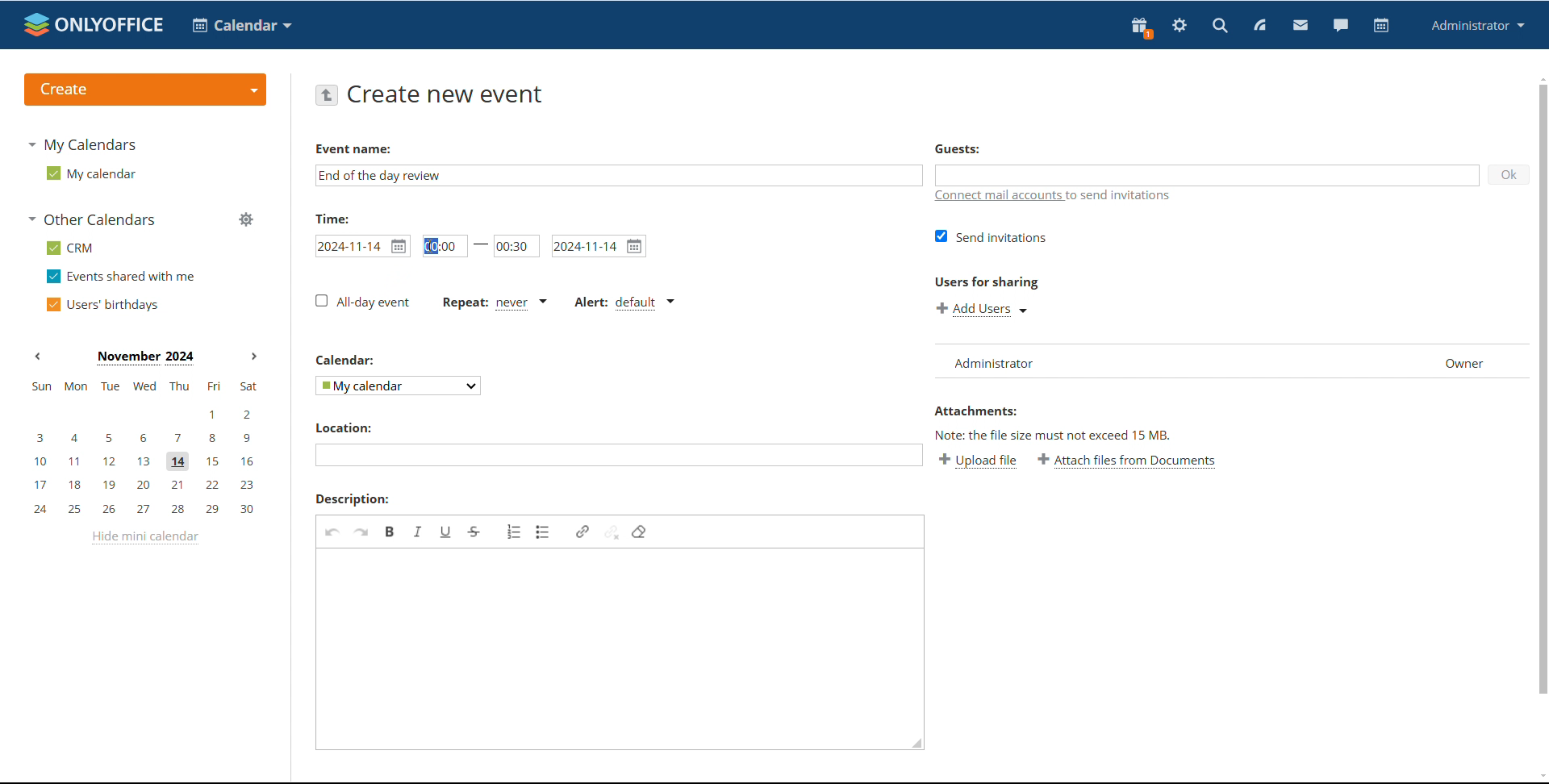  Describe the element at coordinates (148, 485) in the screenshot. I see `17, 18, 19, 20, 21, 22, 23` at that location.